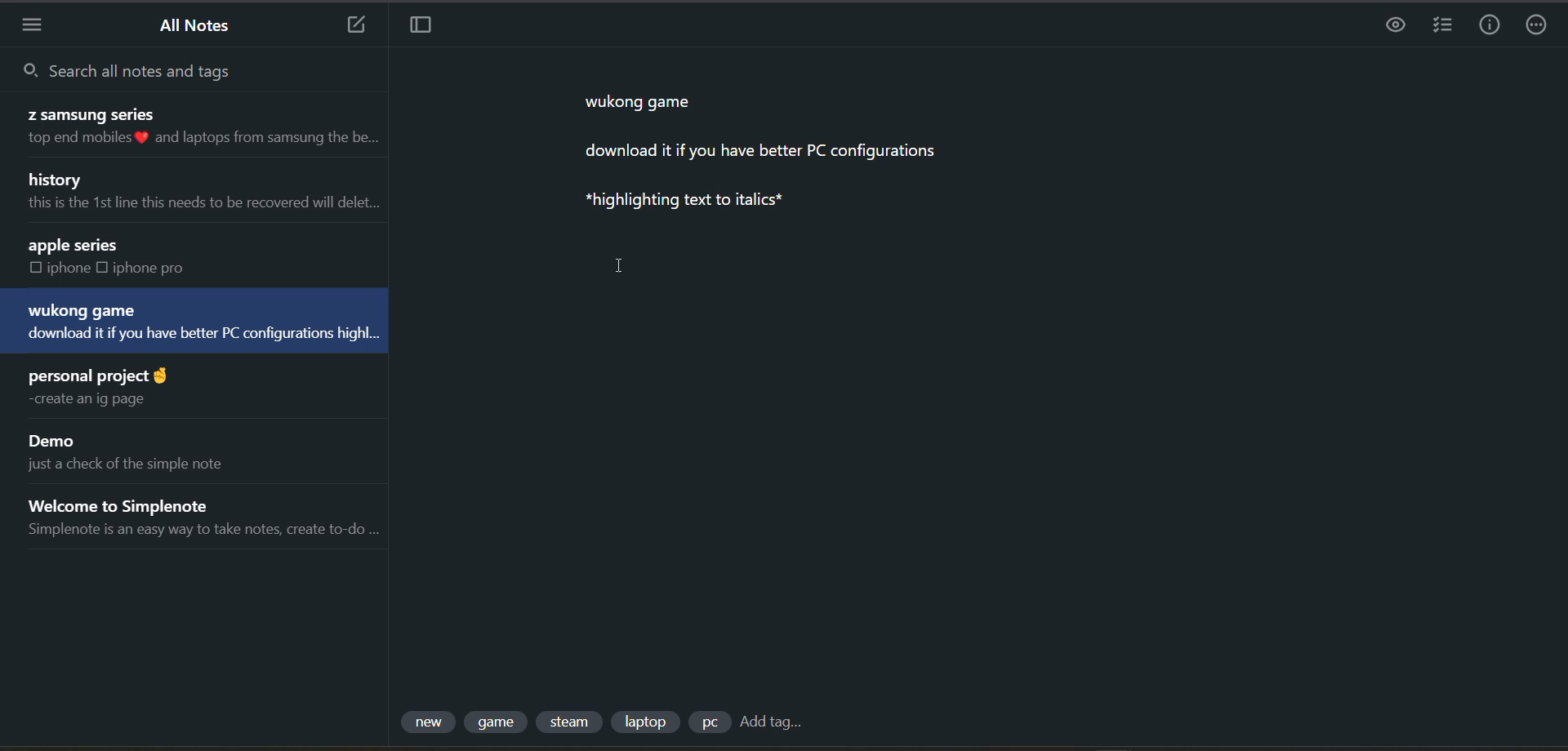  I want to click on note title and preview, so click(105, 384).